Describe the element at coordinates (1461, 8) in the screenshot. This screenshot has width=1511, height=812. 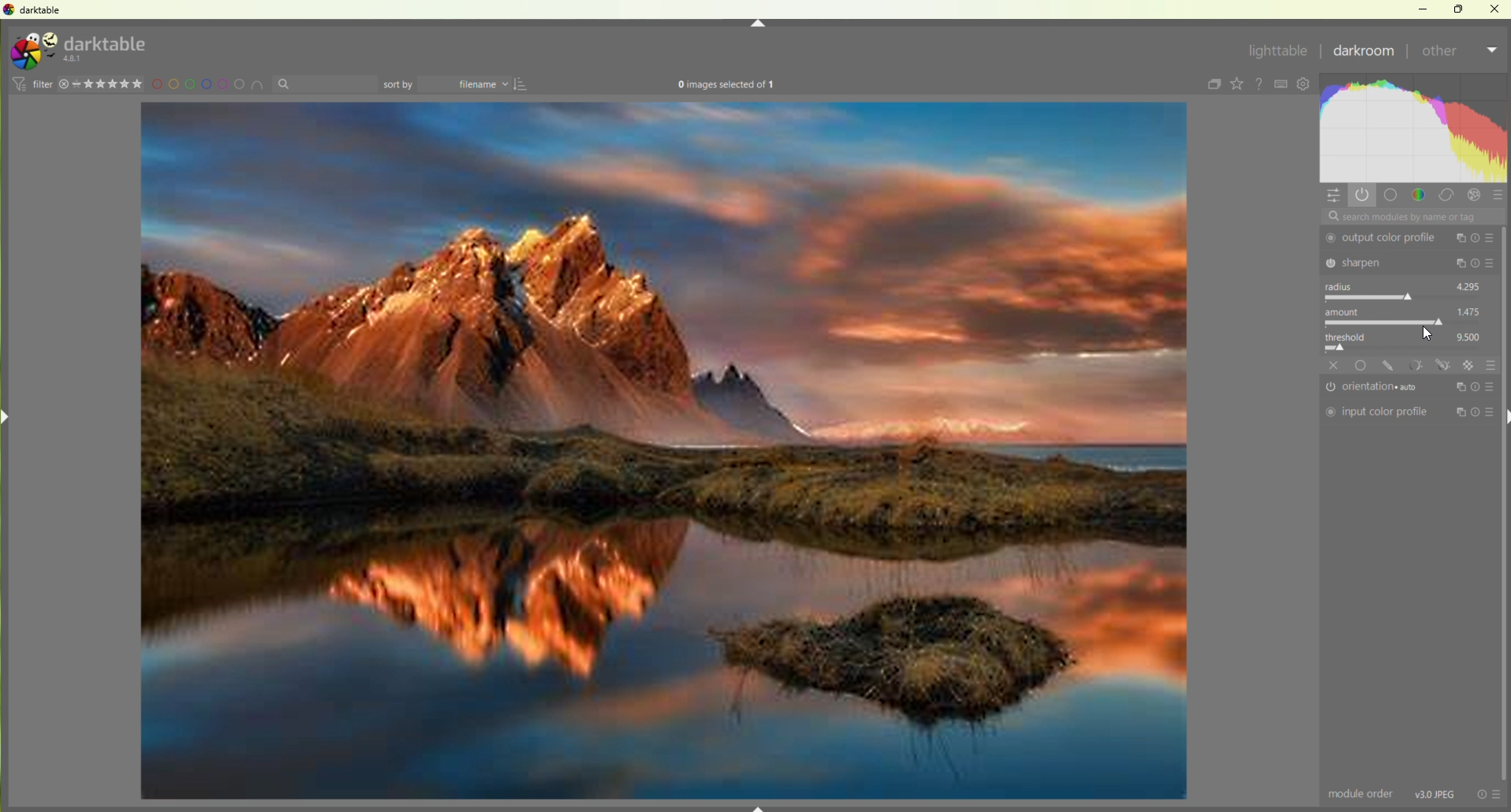
I see `restore` at that location.